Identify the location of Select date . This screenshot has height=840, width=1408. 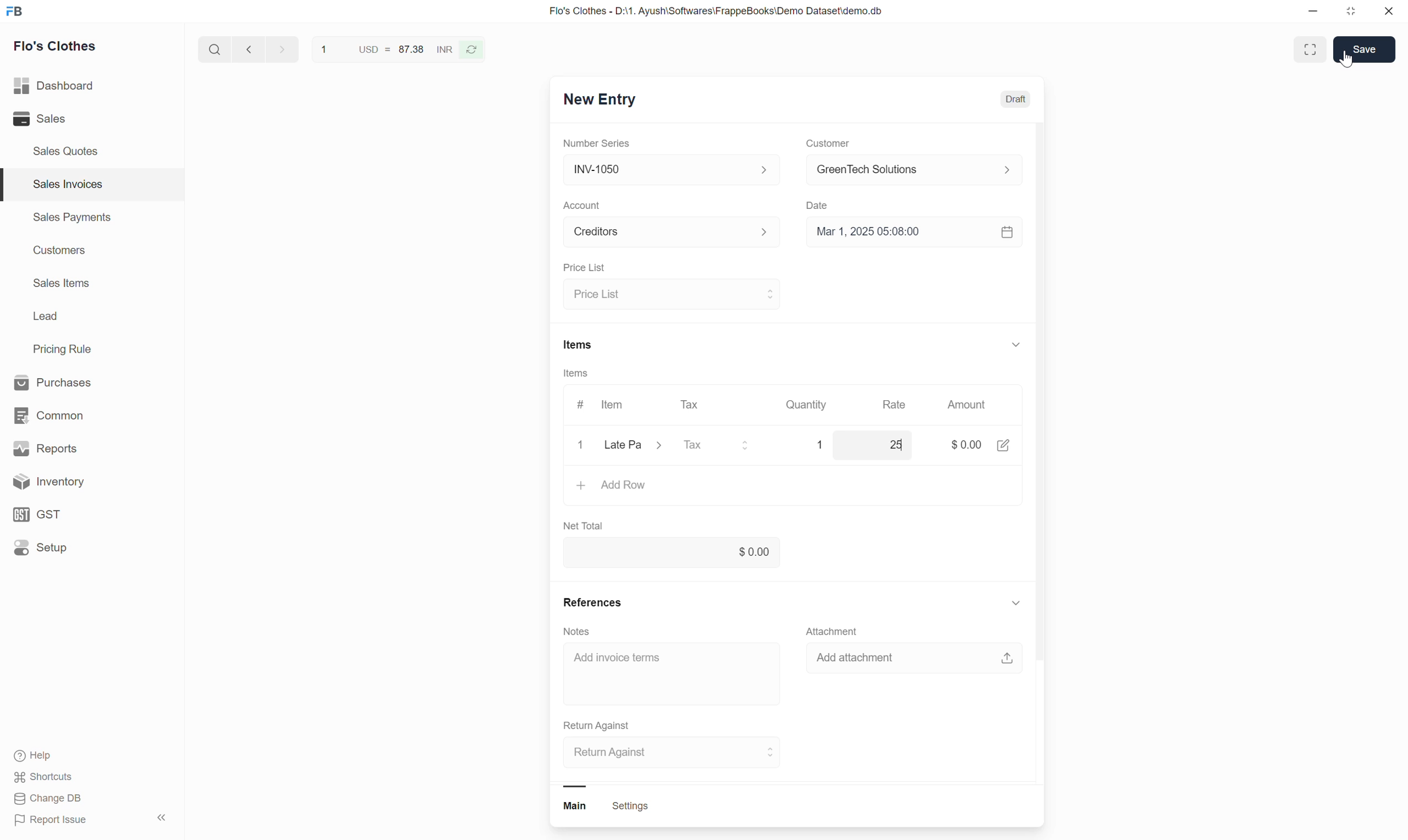
(914, 236).